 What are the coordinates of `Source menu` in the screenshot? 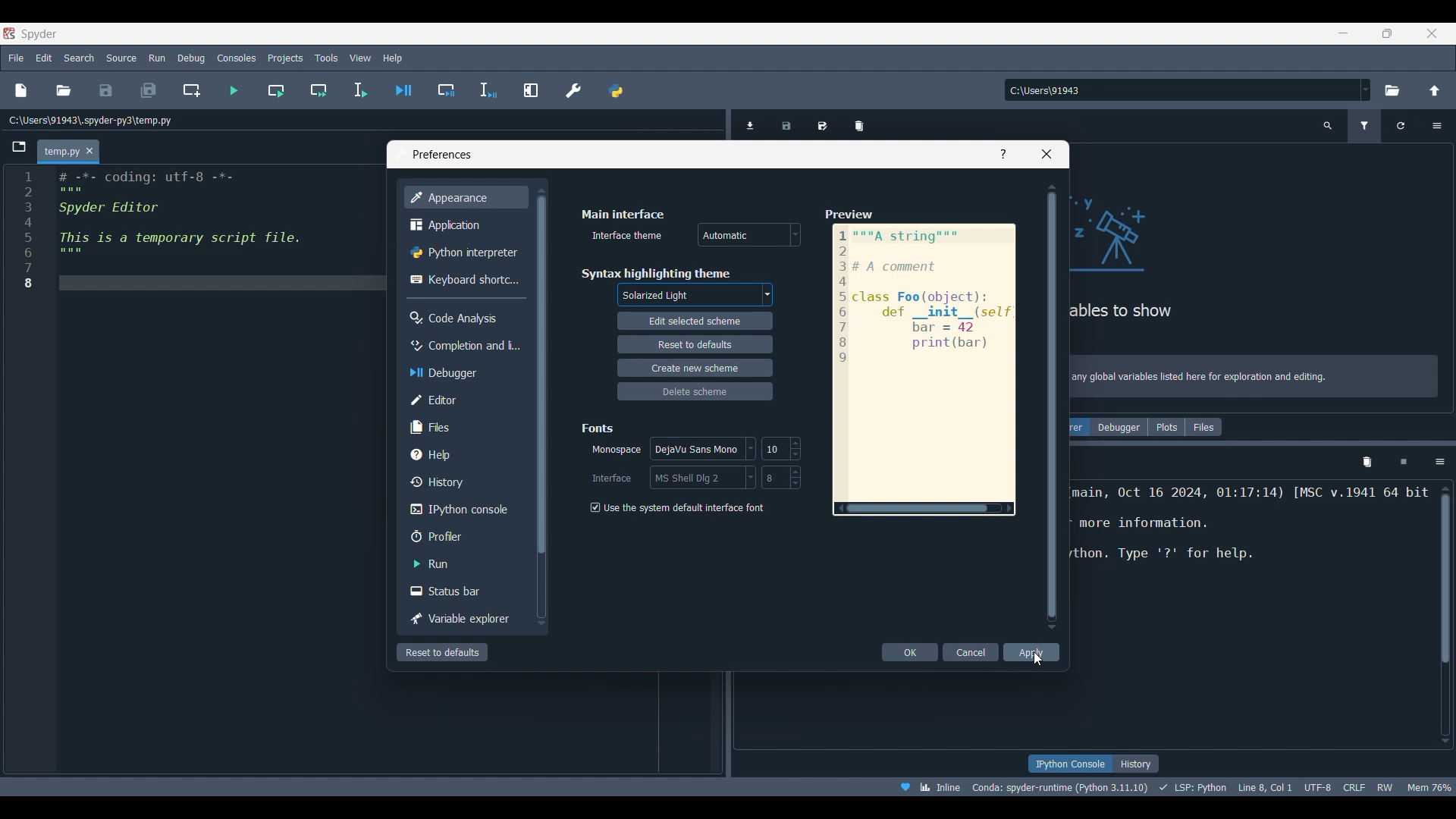 It's located at (122, 58).